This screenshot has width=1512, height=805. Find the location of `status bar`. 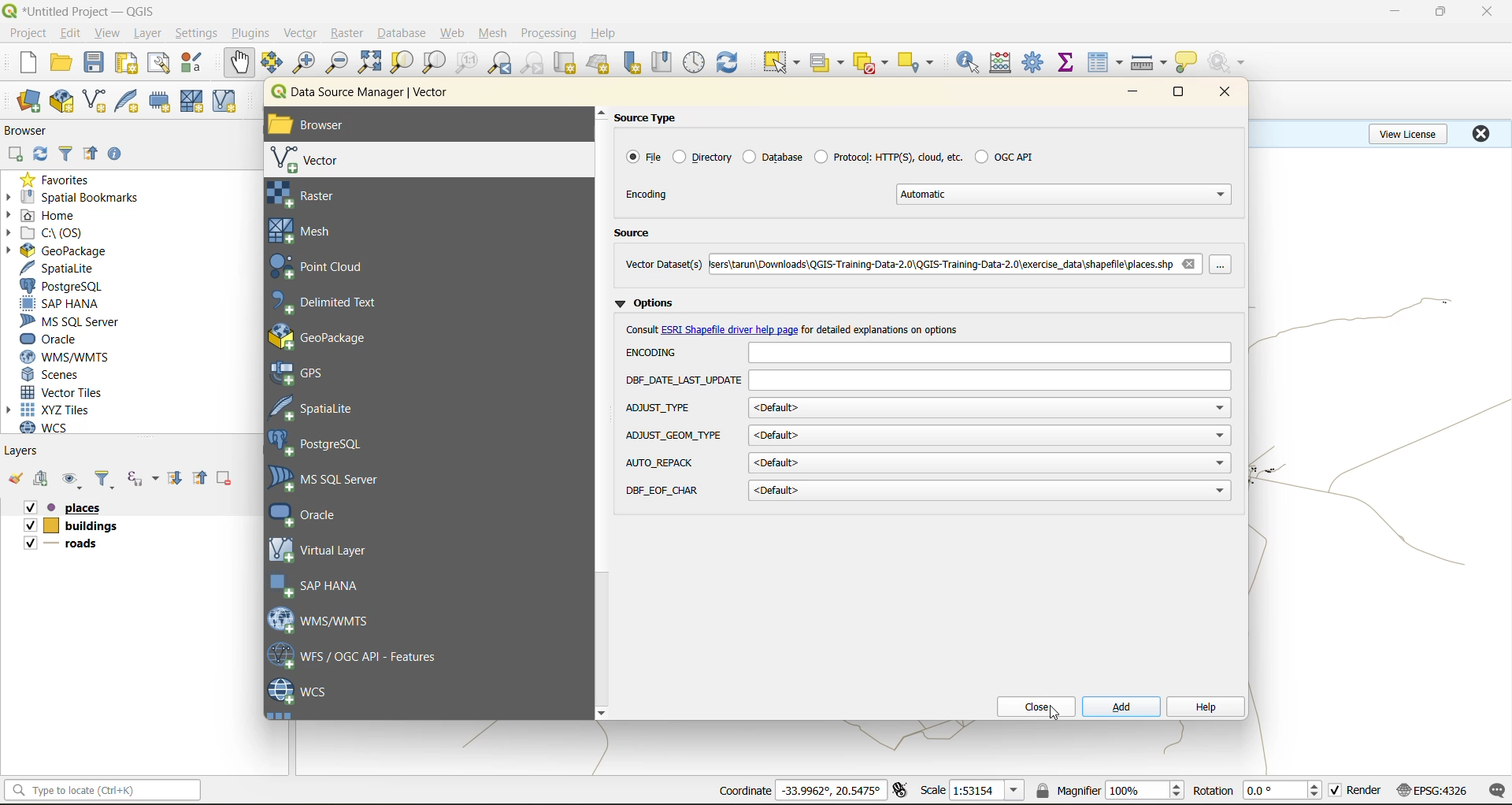

status bar is located at coordinates (100, 789).